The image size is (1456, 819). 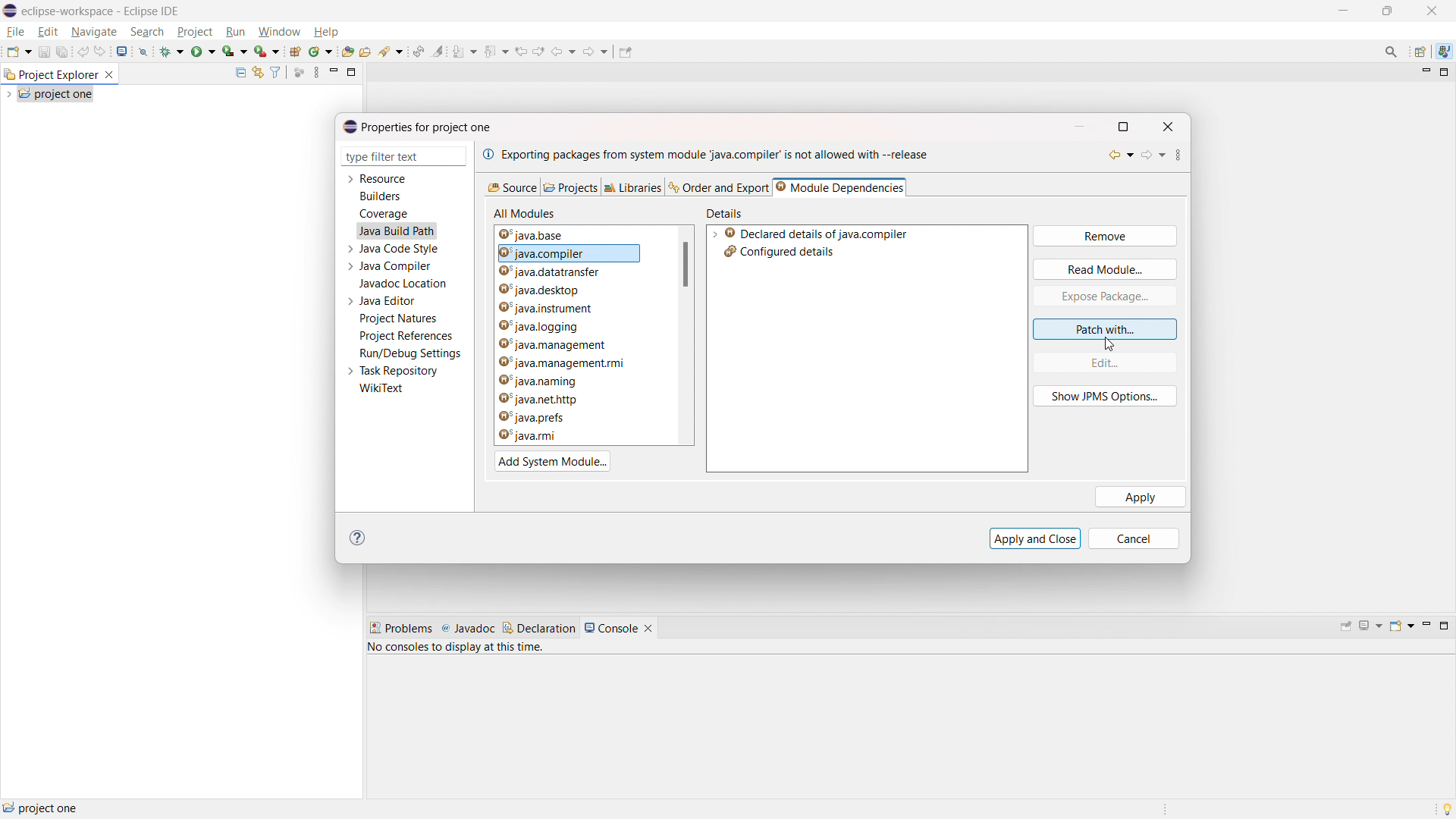 What do you see at coordinates (83, 51) in the screenshot?
I see `undo` at bounding box center [83, 51].